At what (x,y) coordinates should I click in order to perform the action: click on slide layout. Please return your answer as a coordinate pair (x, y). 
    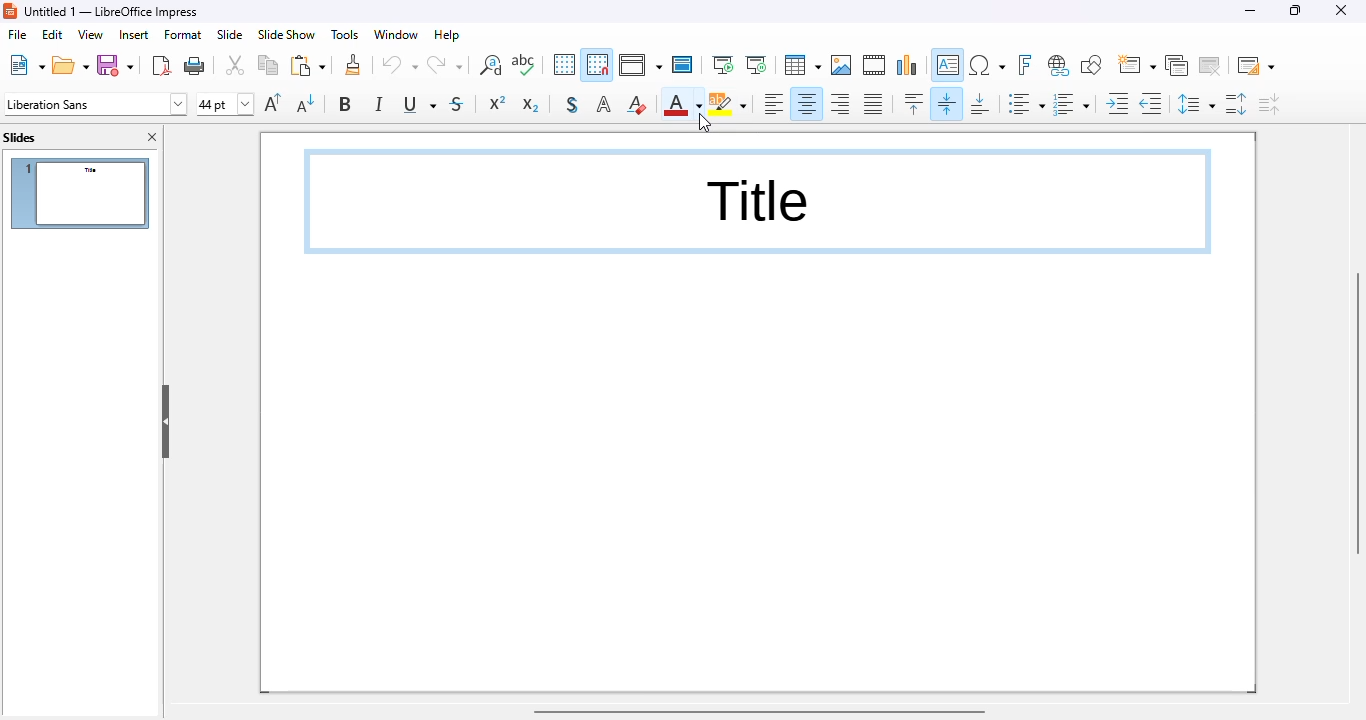
    Looking at the image, I should click on (1256, 65).